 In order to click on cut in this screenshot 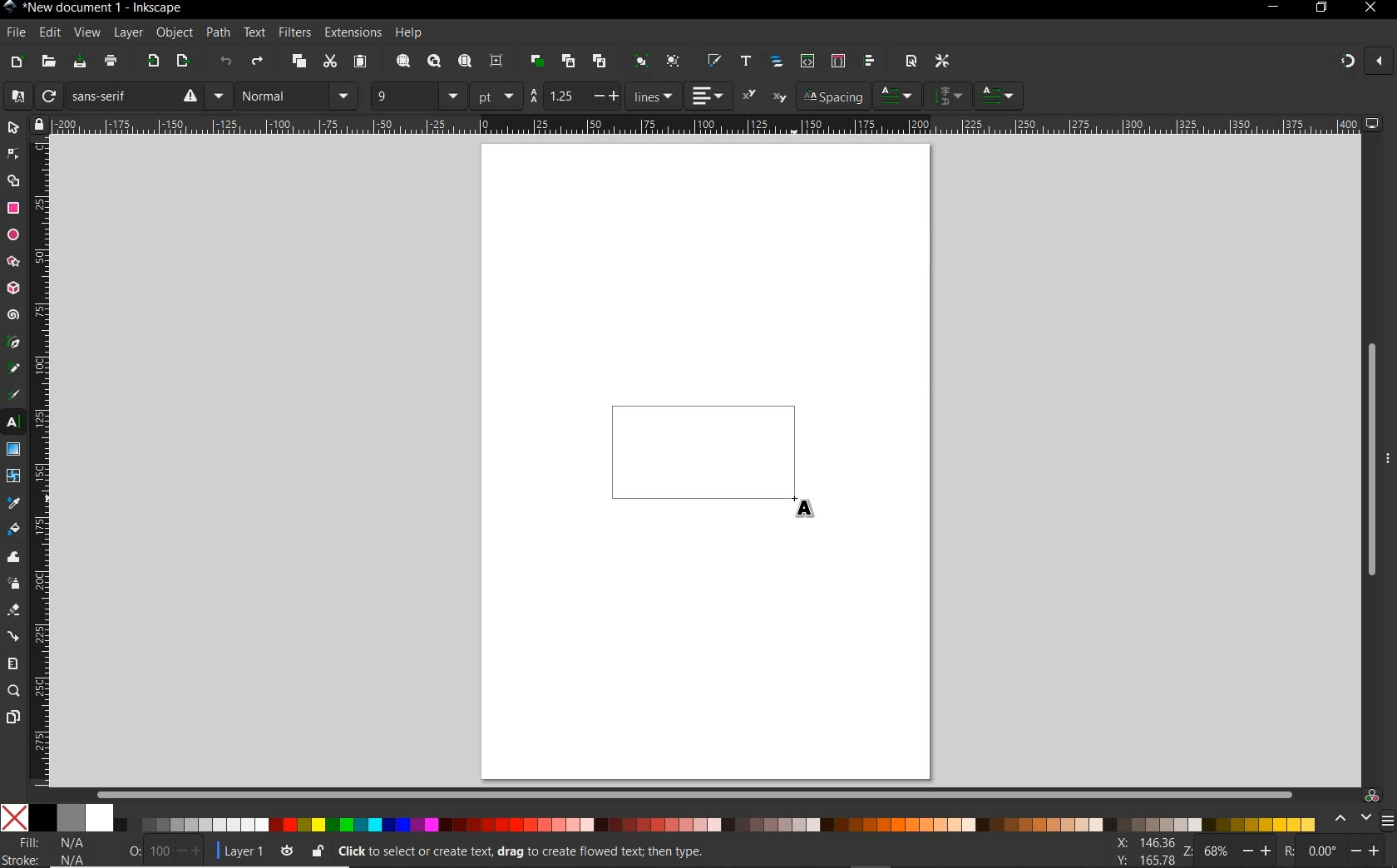, I will do `click(329, 62)`.